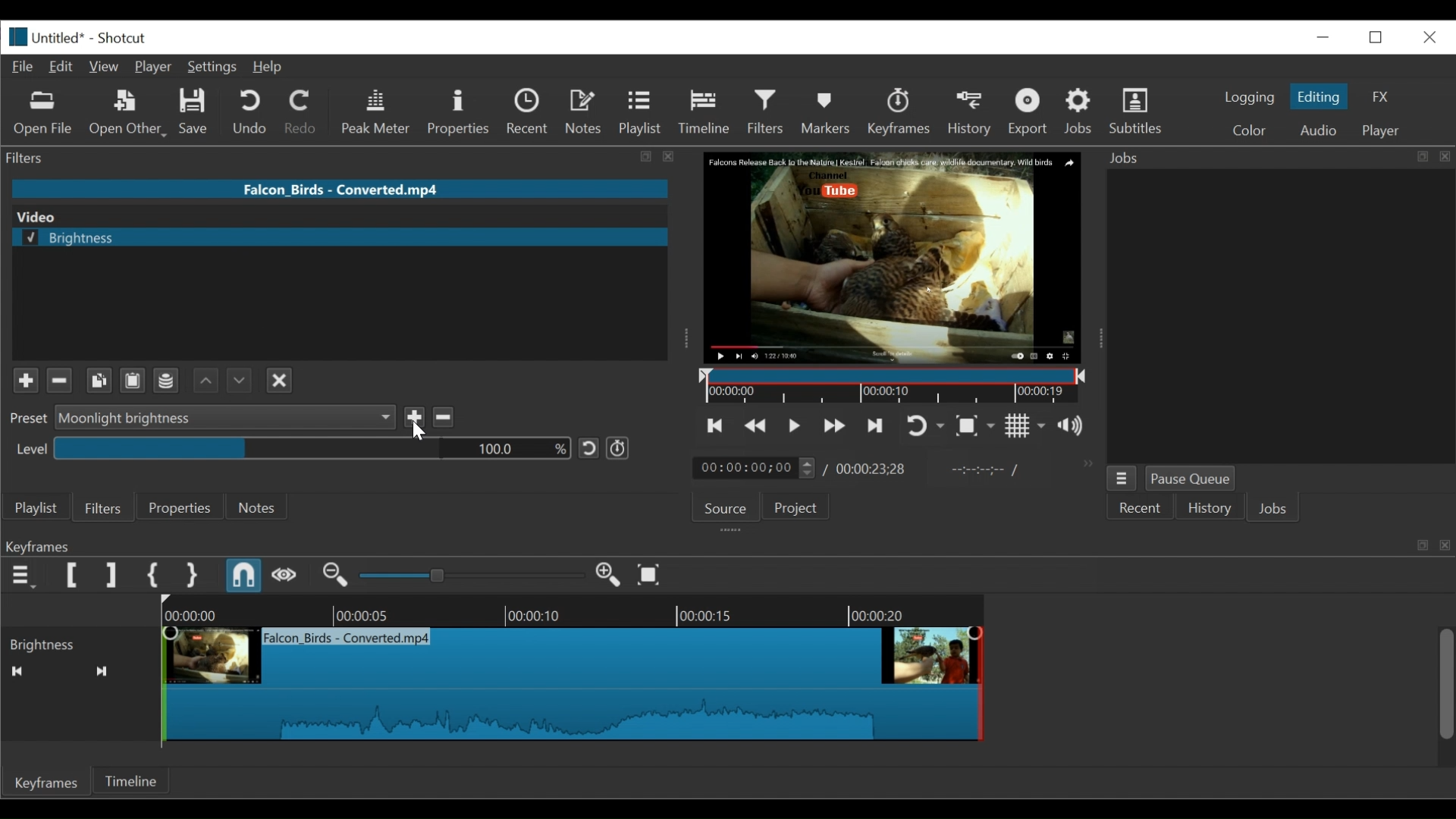 This screenshot has height=819, width=1456. I want to click on History, so click(1209, 507).